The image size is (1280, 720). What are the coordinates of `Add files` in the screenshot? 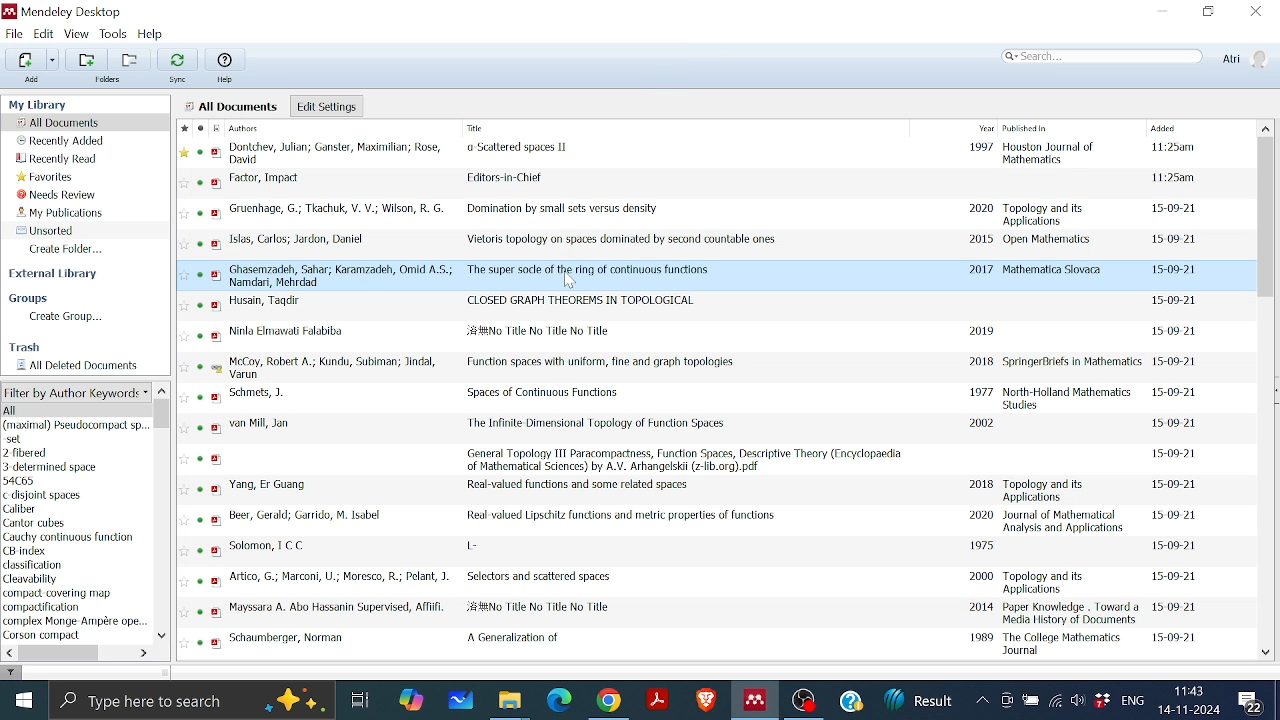 It's located at (26, 59).